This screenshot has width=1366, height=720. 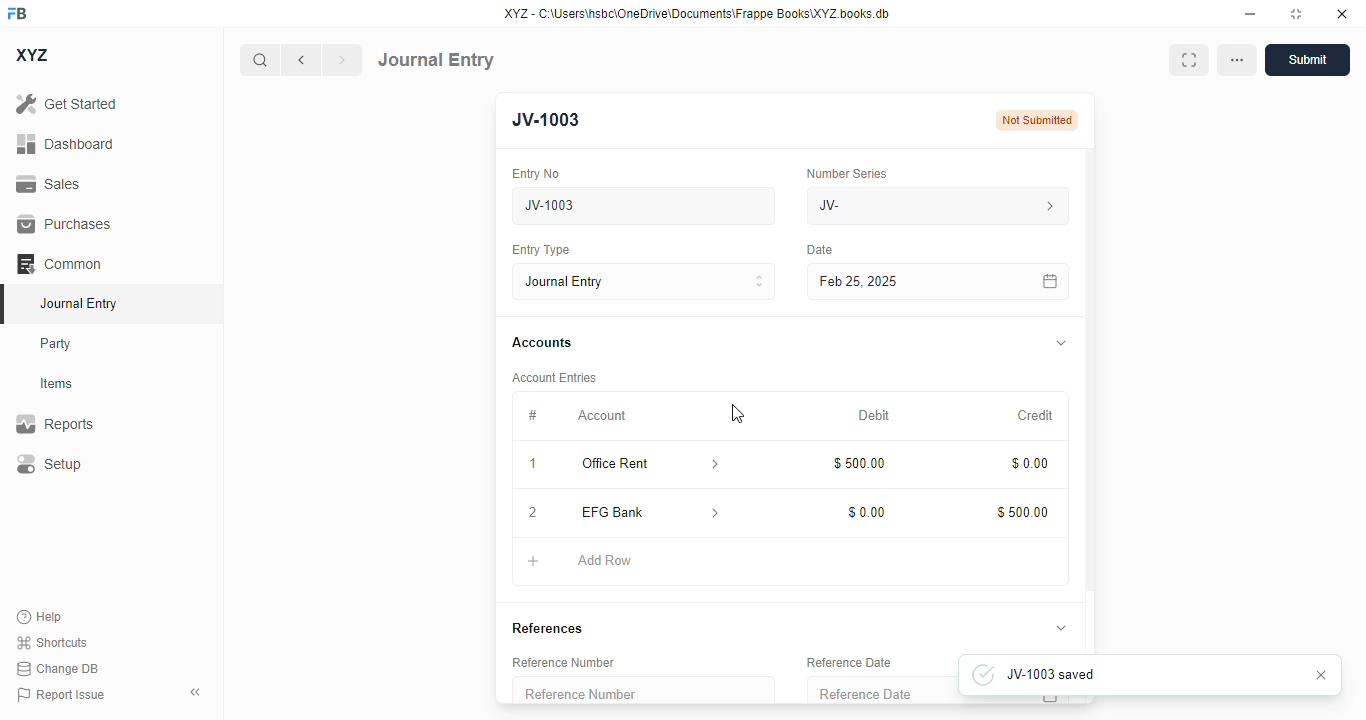 I want to click on number series information, so click(x=1048, y=207).